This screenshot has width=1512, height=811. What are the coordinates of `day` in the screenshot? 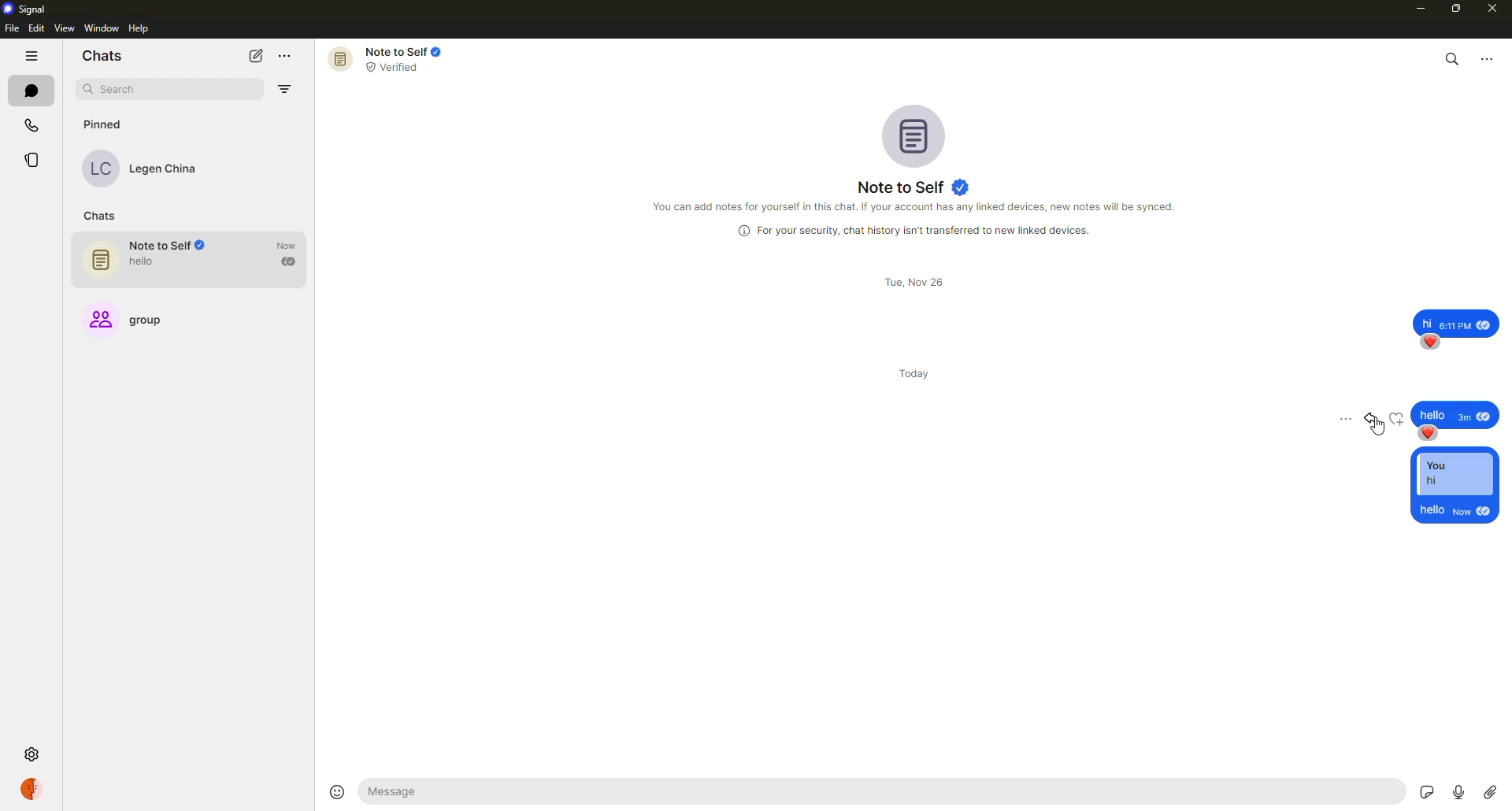 It's located at (913, 283).